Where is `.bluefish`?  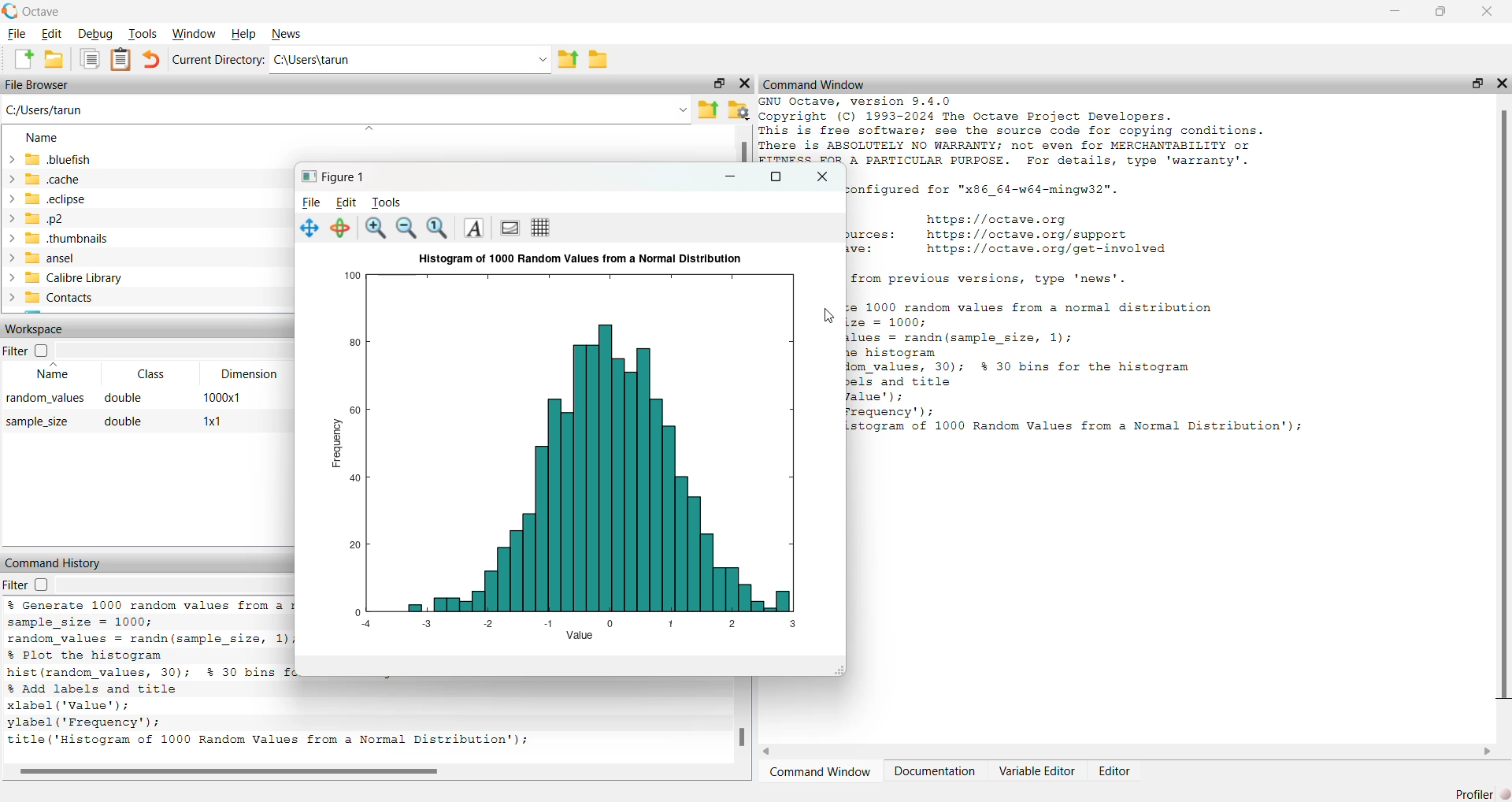
.bluefish is located at coordinates (48, 159).